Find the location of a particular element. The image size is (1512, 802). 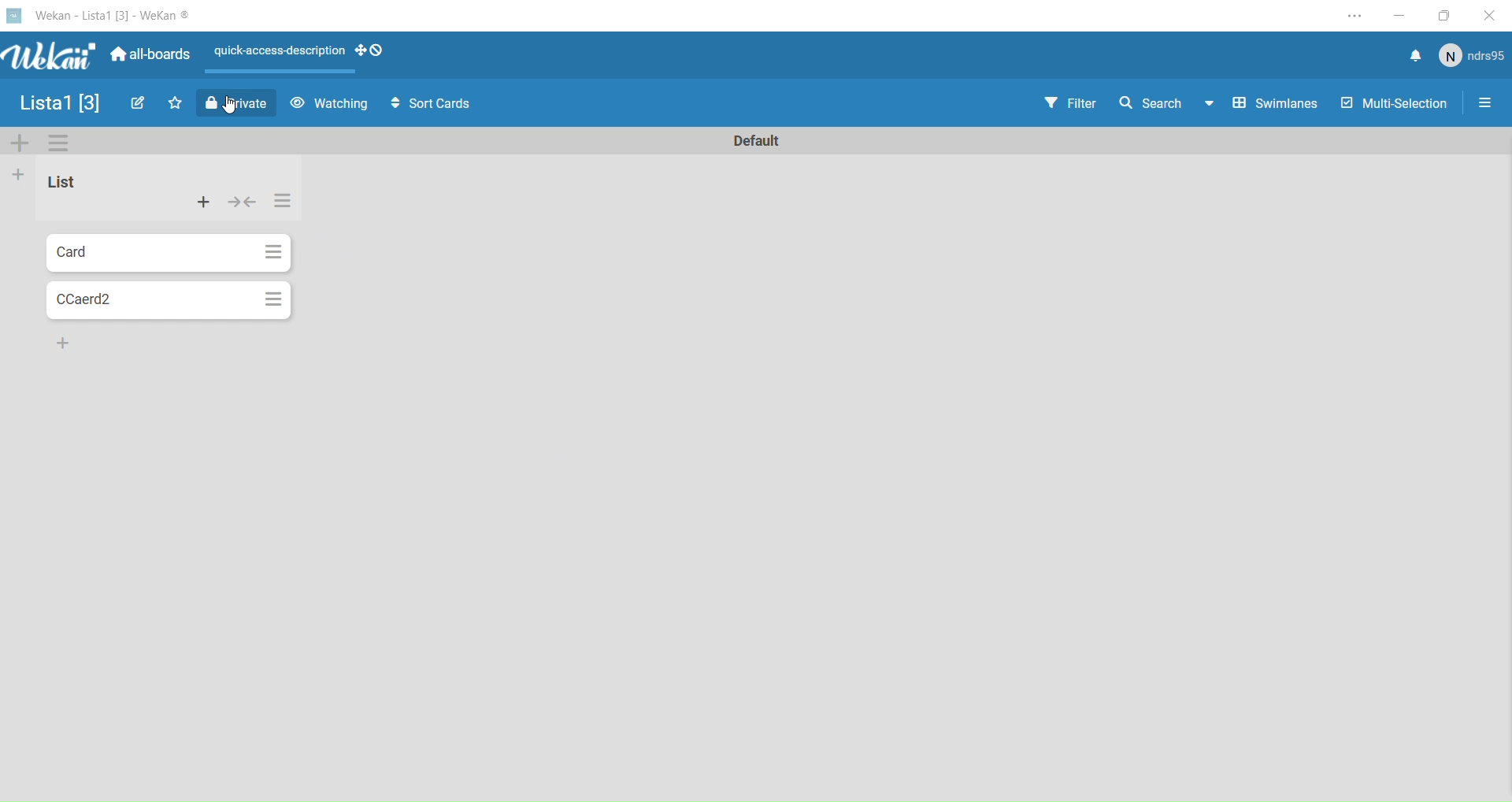

Swimlines is located at coordinates (1274, 106).